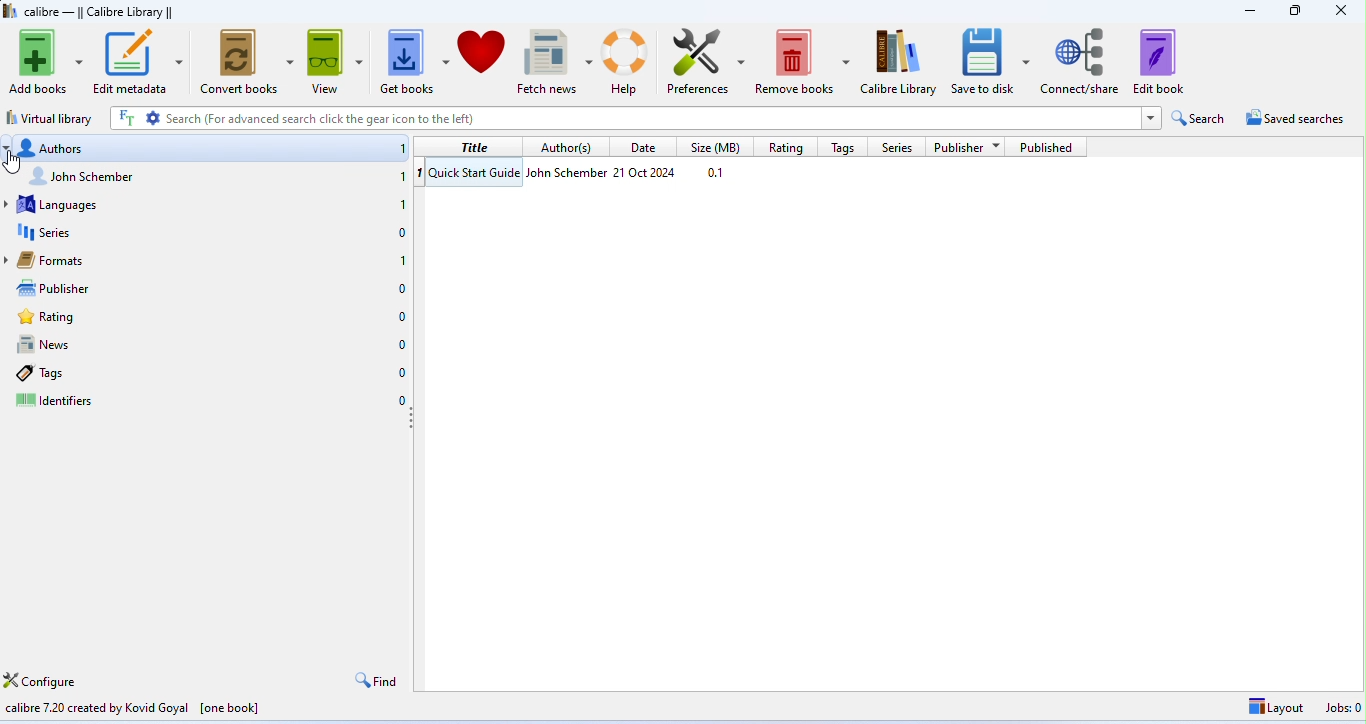 The image size is (1366, 724). Describe the element at coordinates (218, 178) in the screenshot. I see `Author name appeared` at that location.